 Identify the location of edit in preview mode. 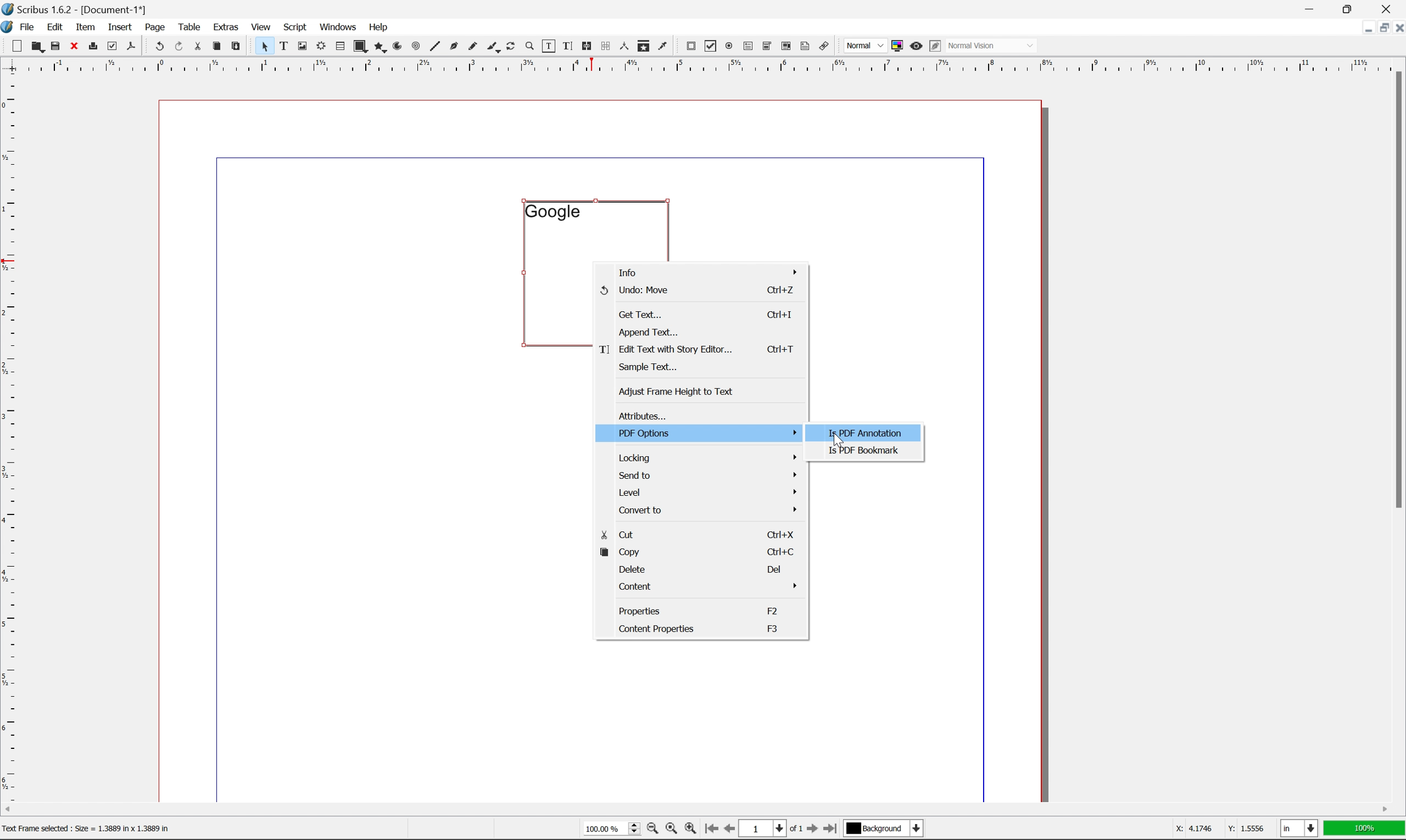
(935, 46).